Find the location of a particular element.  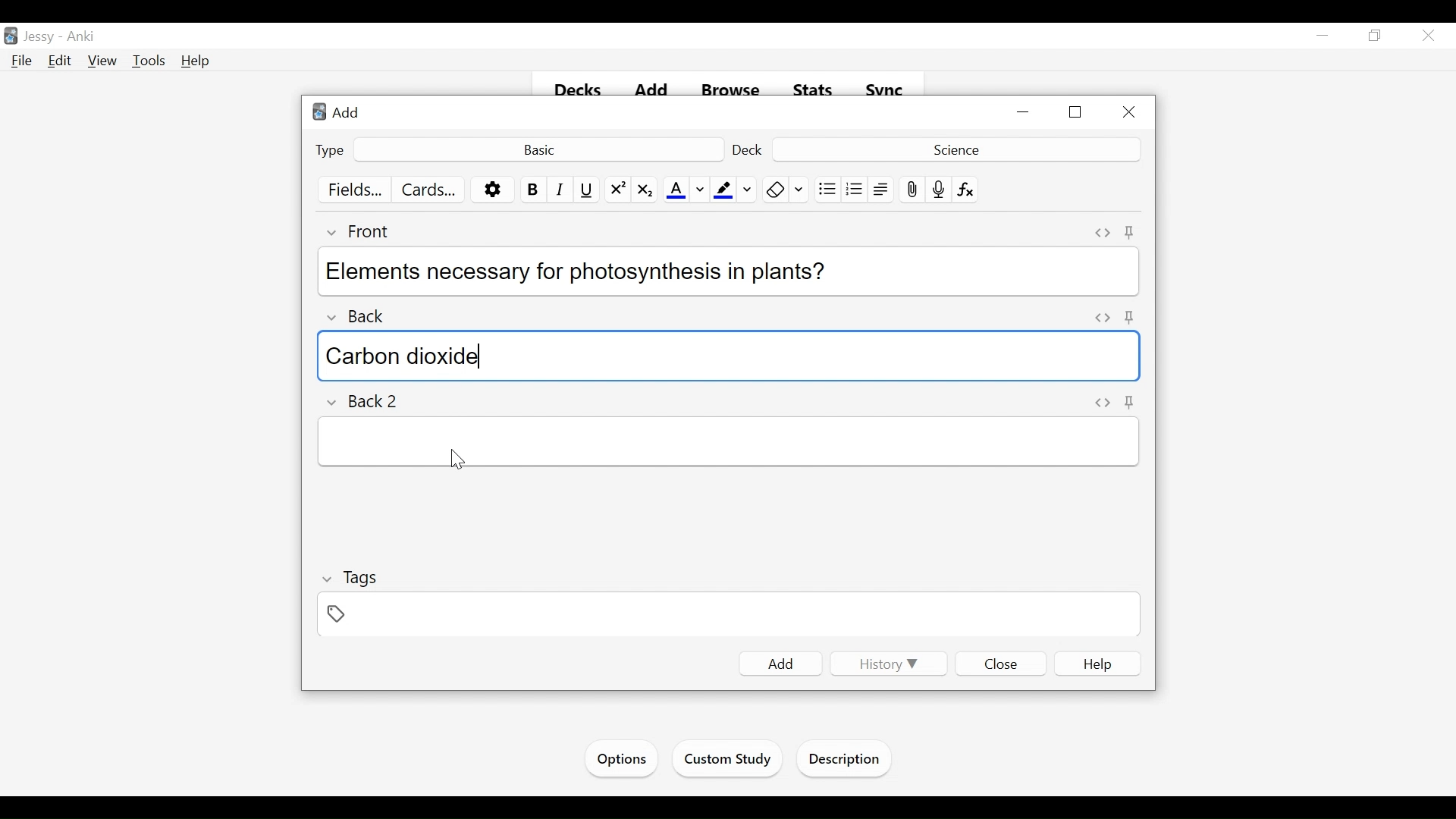

Minimize is located at coordinates (1025, 113).